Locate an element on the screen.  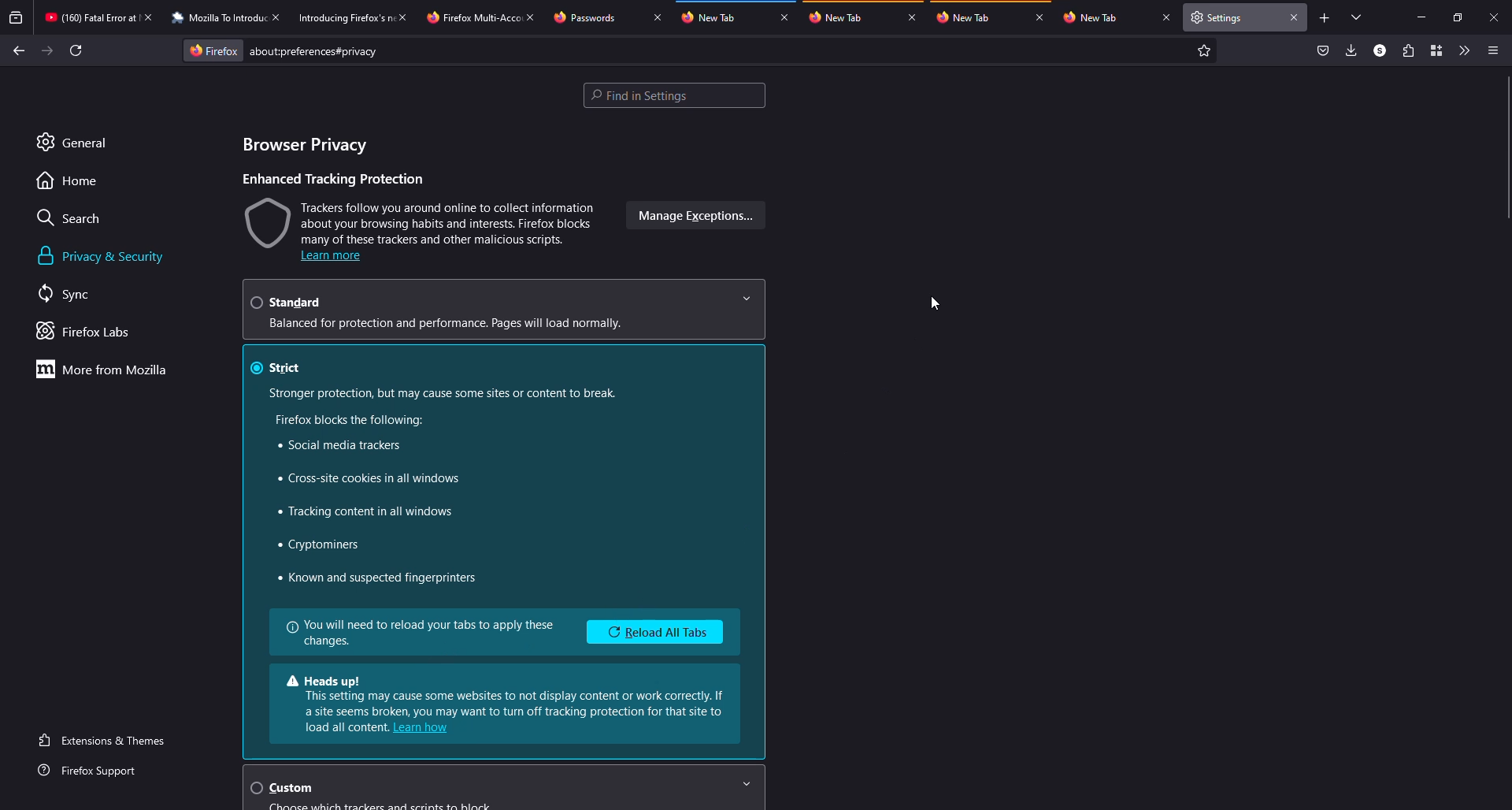
fingerprinters is located at coordinates (375, 577).